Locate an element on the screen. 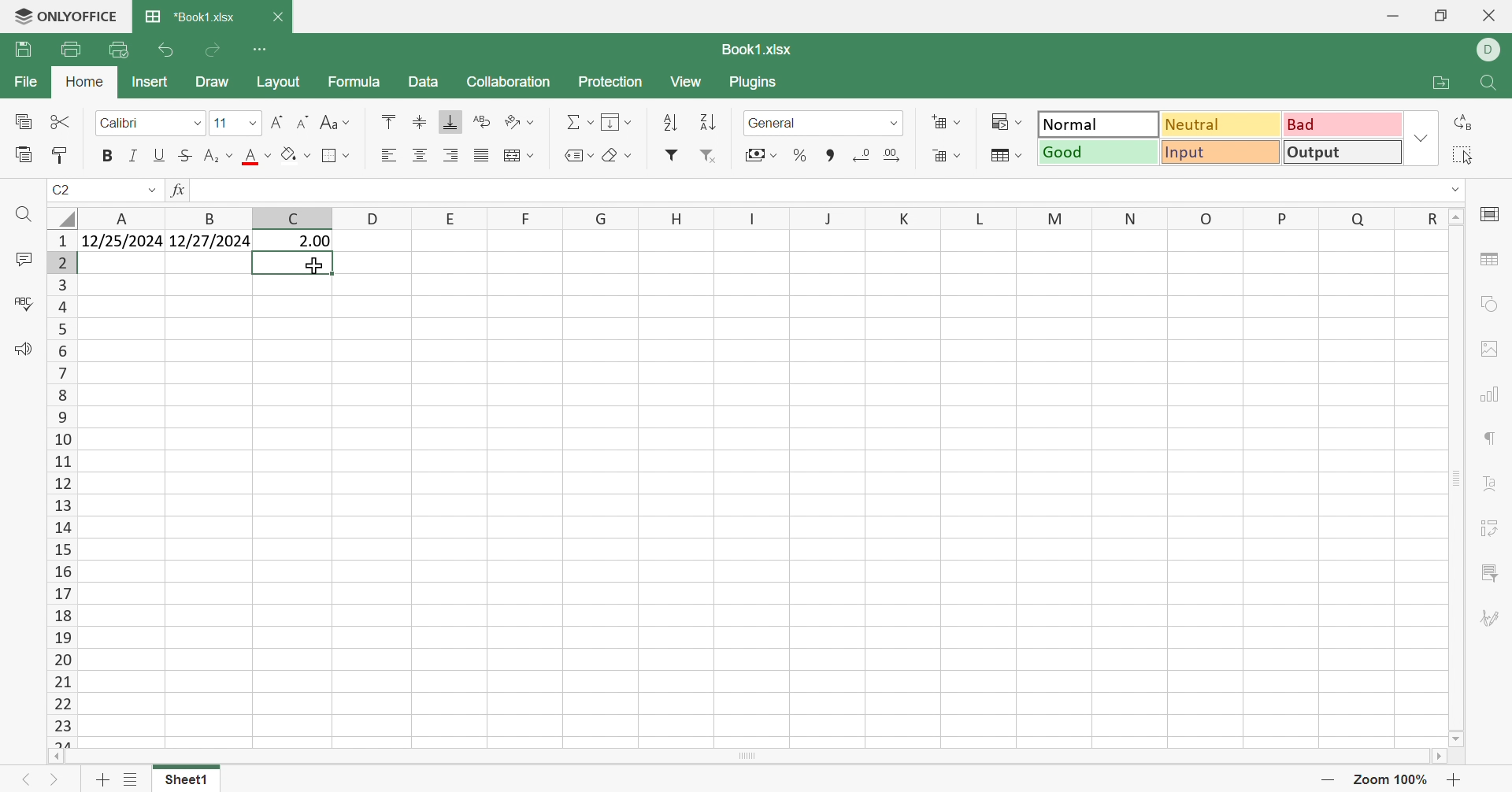  Data is located at coordinates (424, 81).